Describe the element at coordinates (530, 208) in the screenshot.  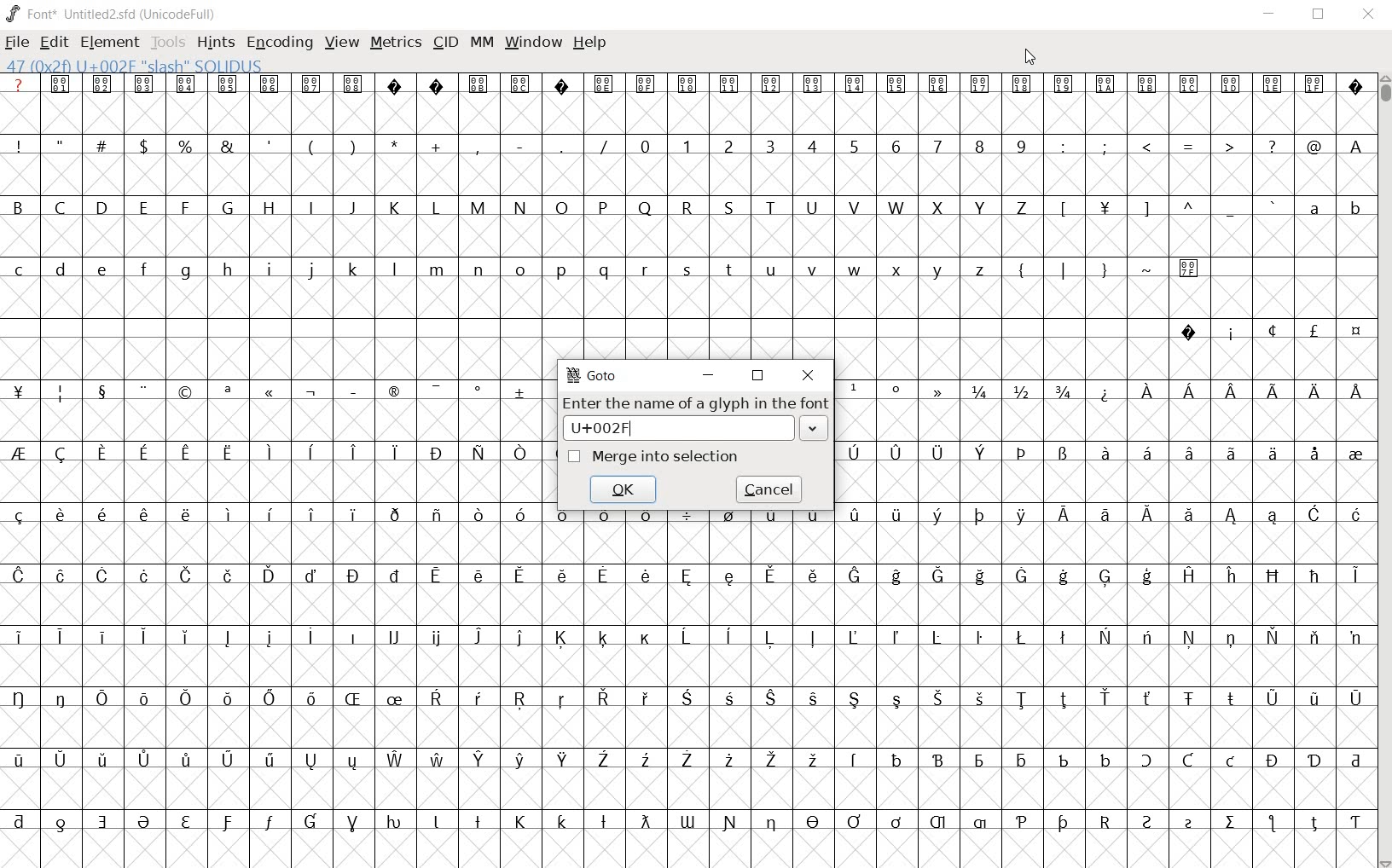
I see `capital letters A - Z` at that location.